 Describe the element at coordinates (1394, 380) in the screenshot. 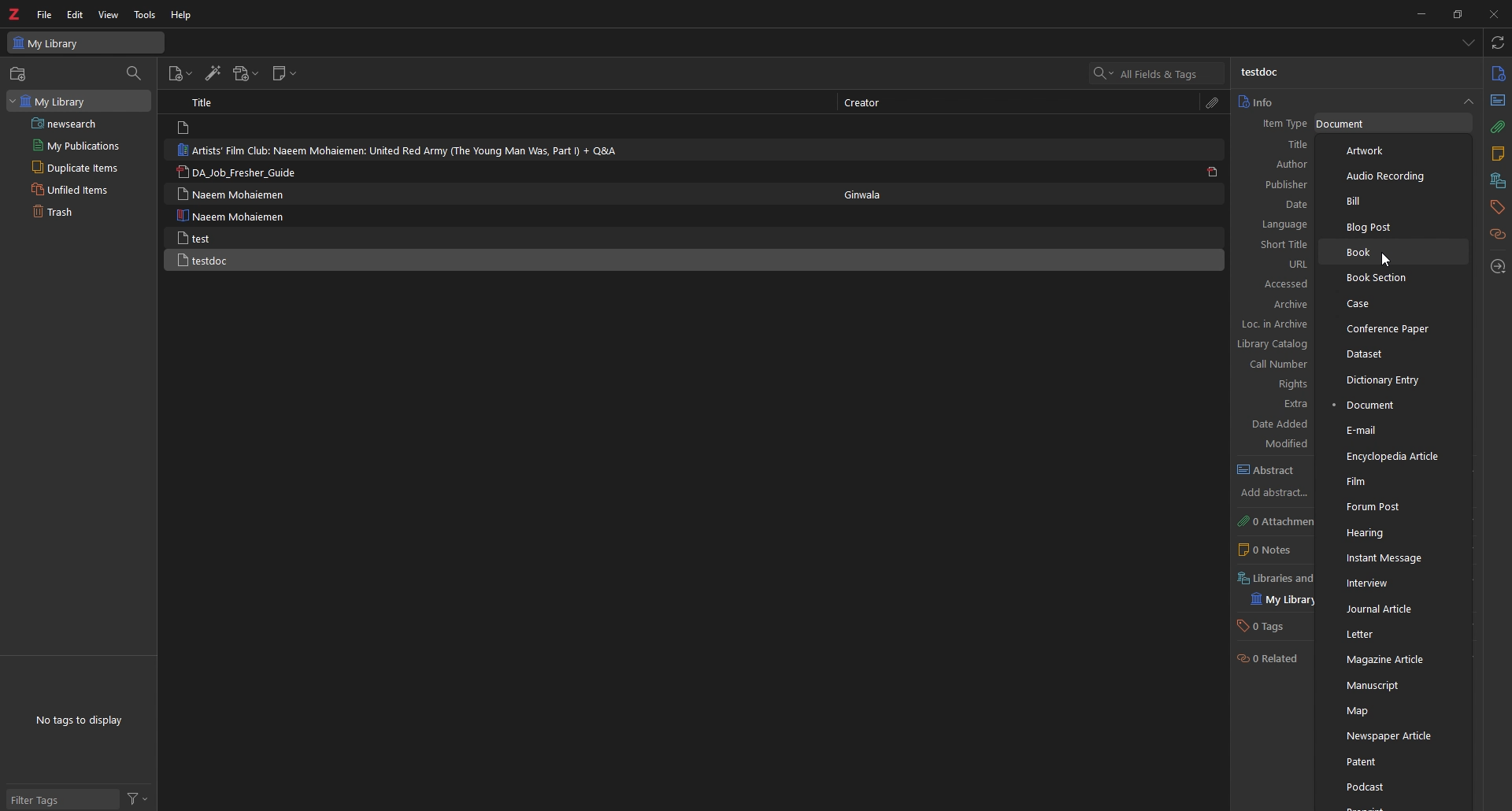

I see `dictionary entry` at that location.